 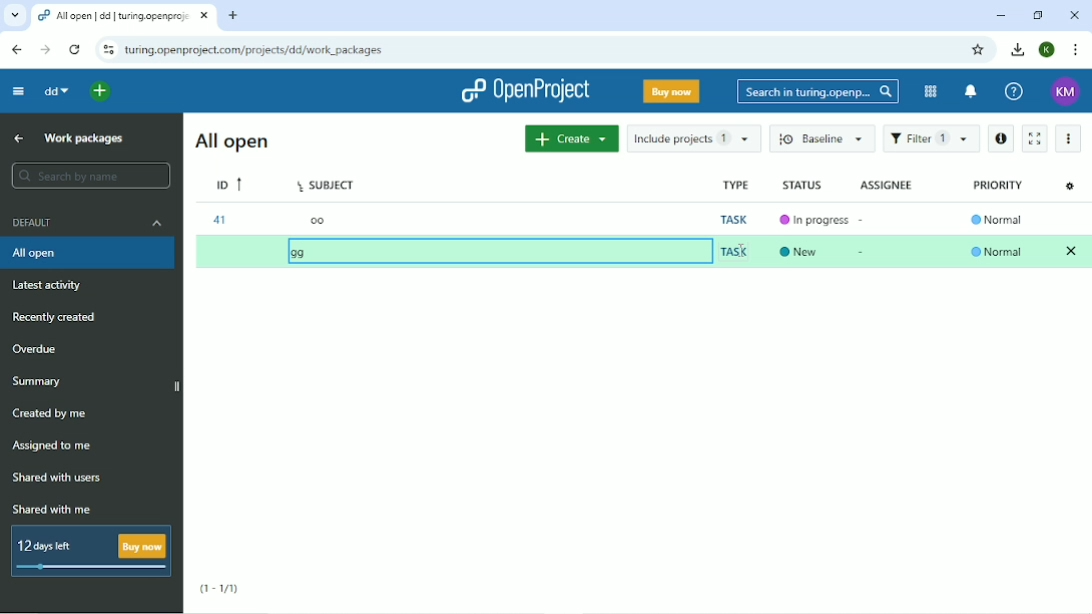 I want to click on Help, so click(x=1014, y=92).